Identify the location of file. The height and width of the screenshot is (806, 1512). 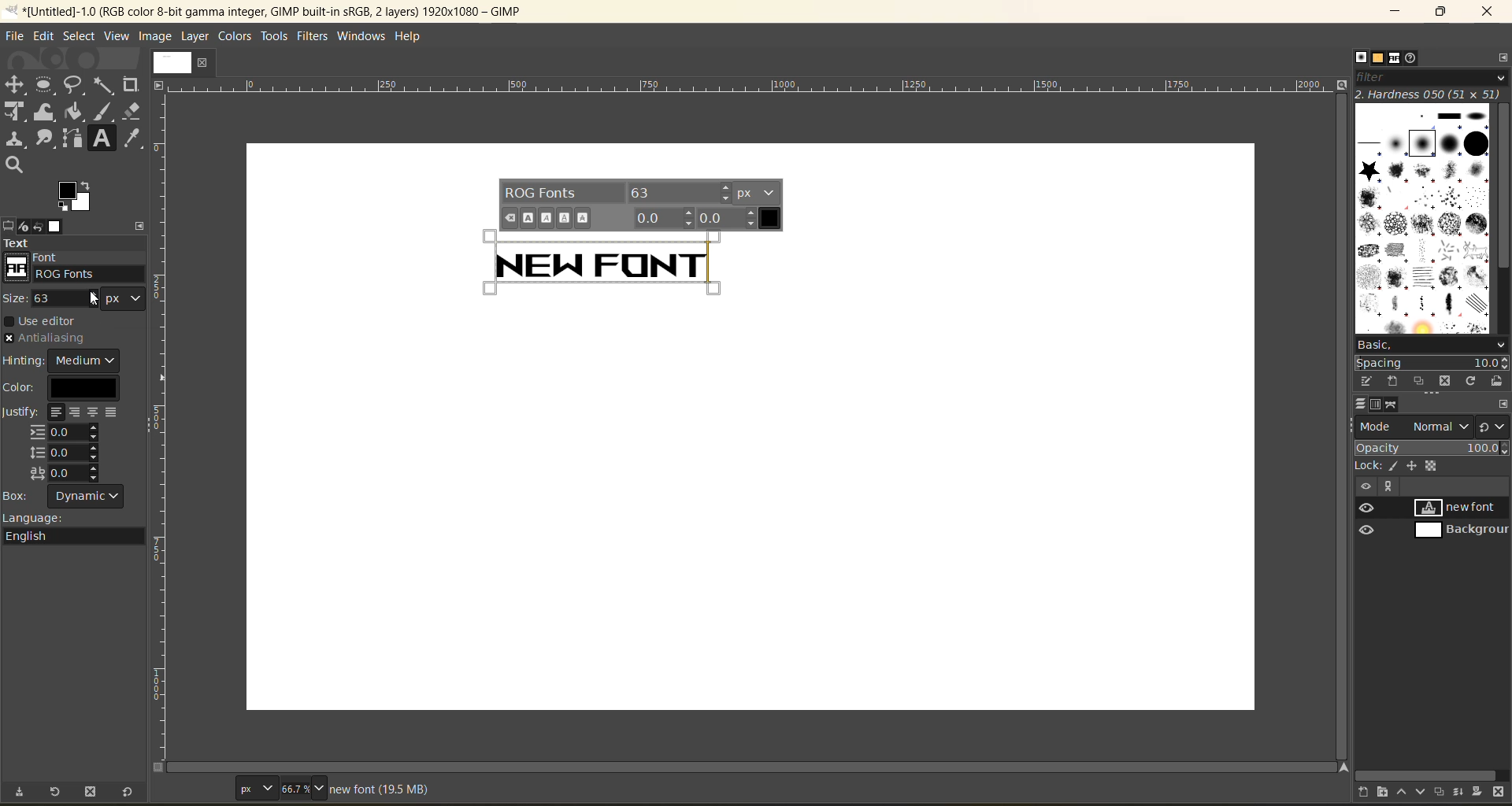
(17, 35).